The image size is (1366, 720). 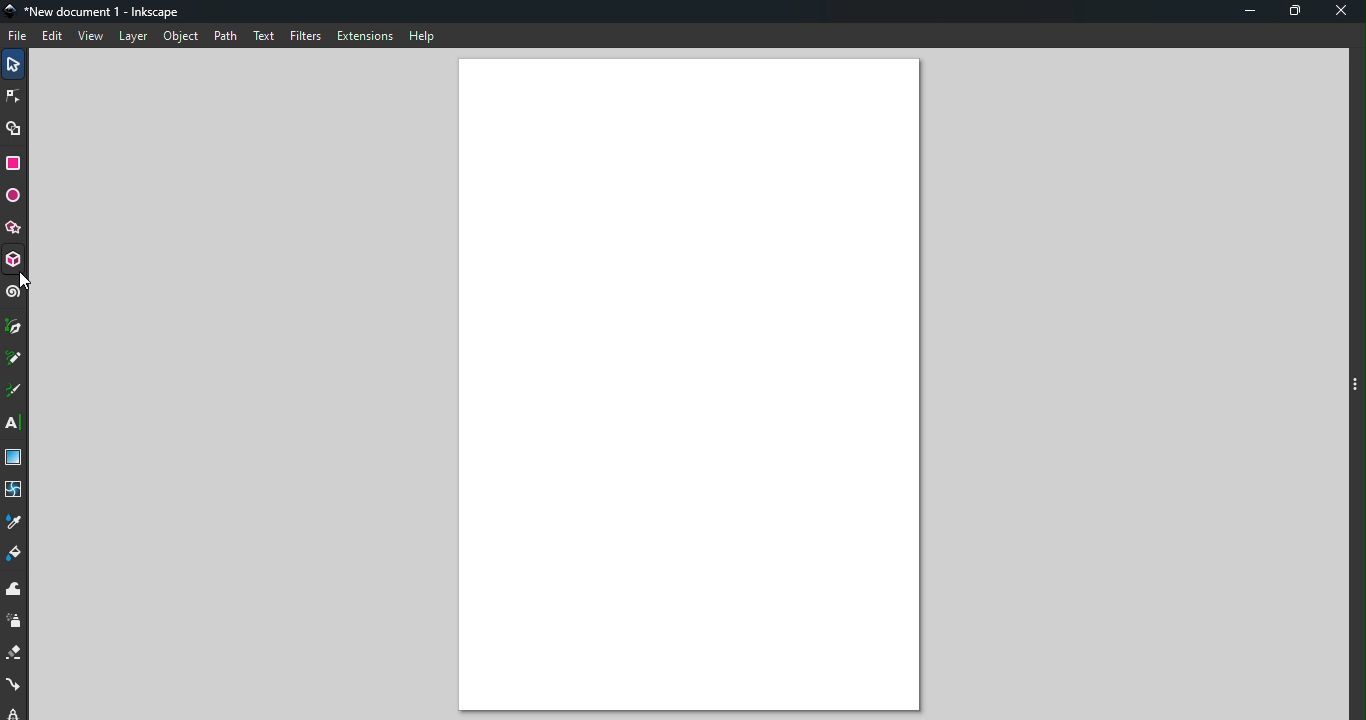 I want to click on Edit, so click(x=51, y=37).